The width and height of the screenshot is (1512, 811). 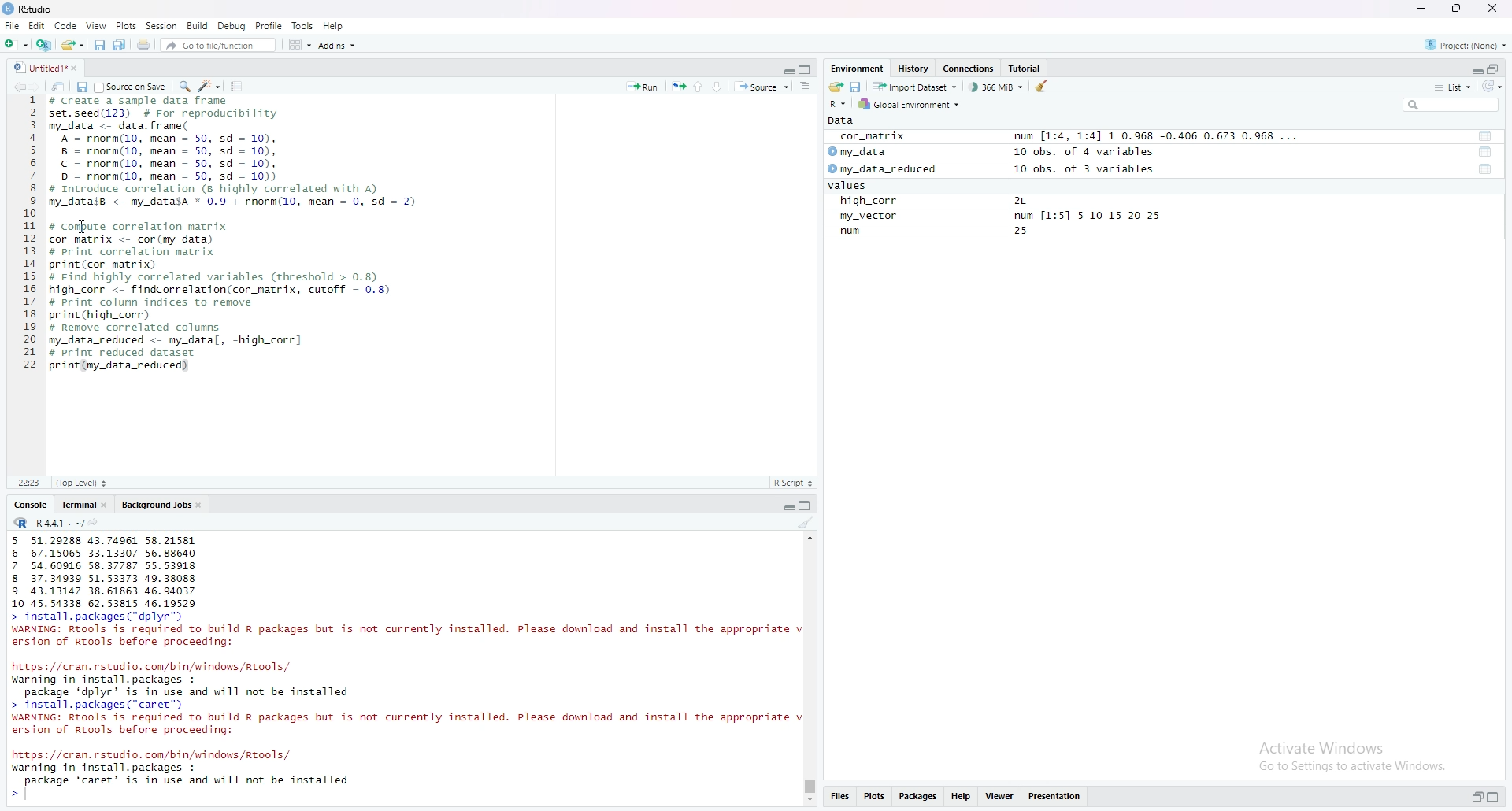 I want to click on copy, so click(x=806, y=70).